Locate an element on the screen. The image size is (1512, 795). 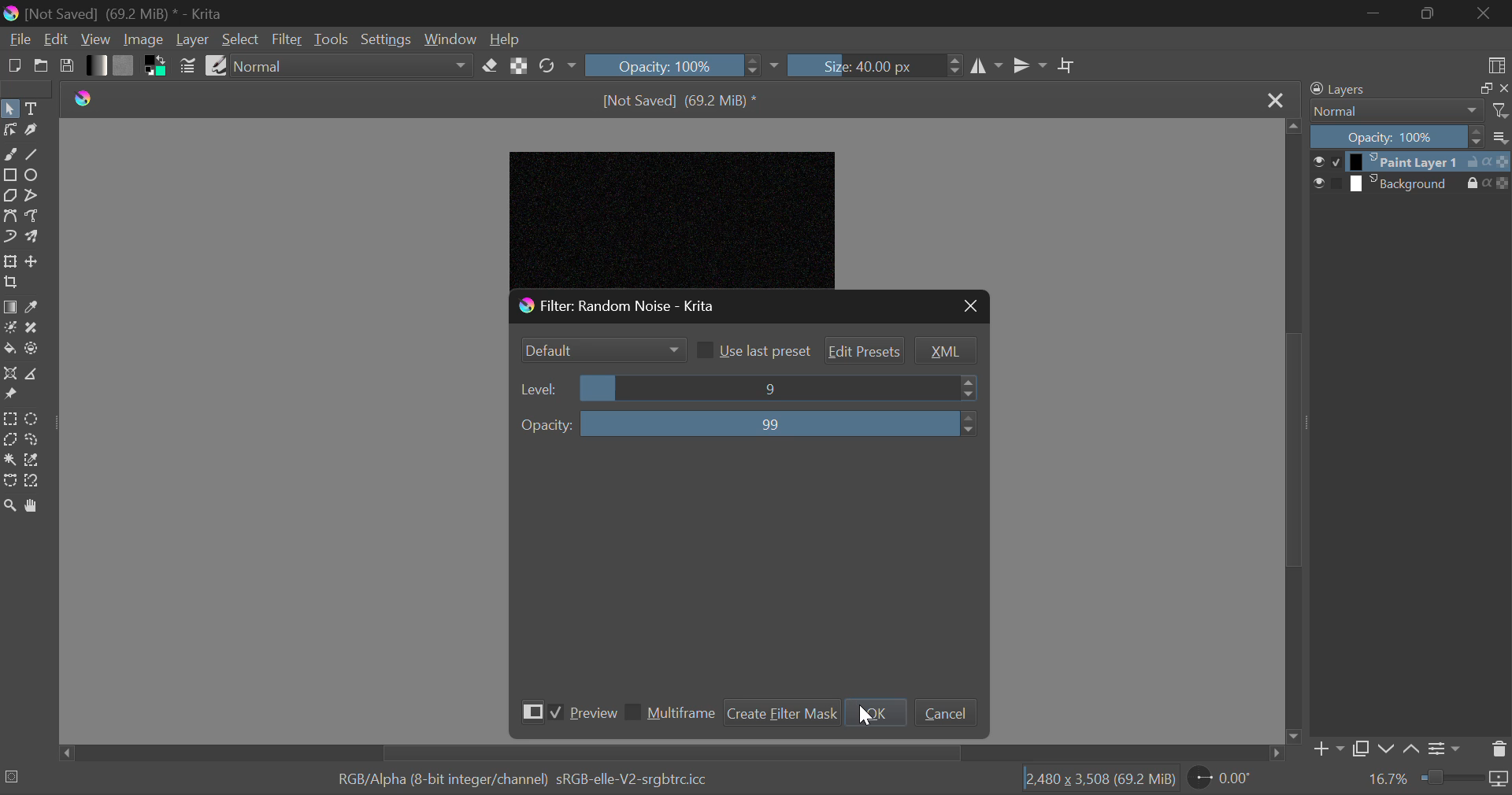
Close is located at coordinates (1275, 98).